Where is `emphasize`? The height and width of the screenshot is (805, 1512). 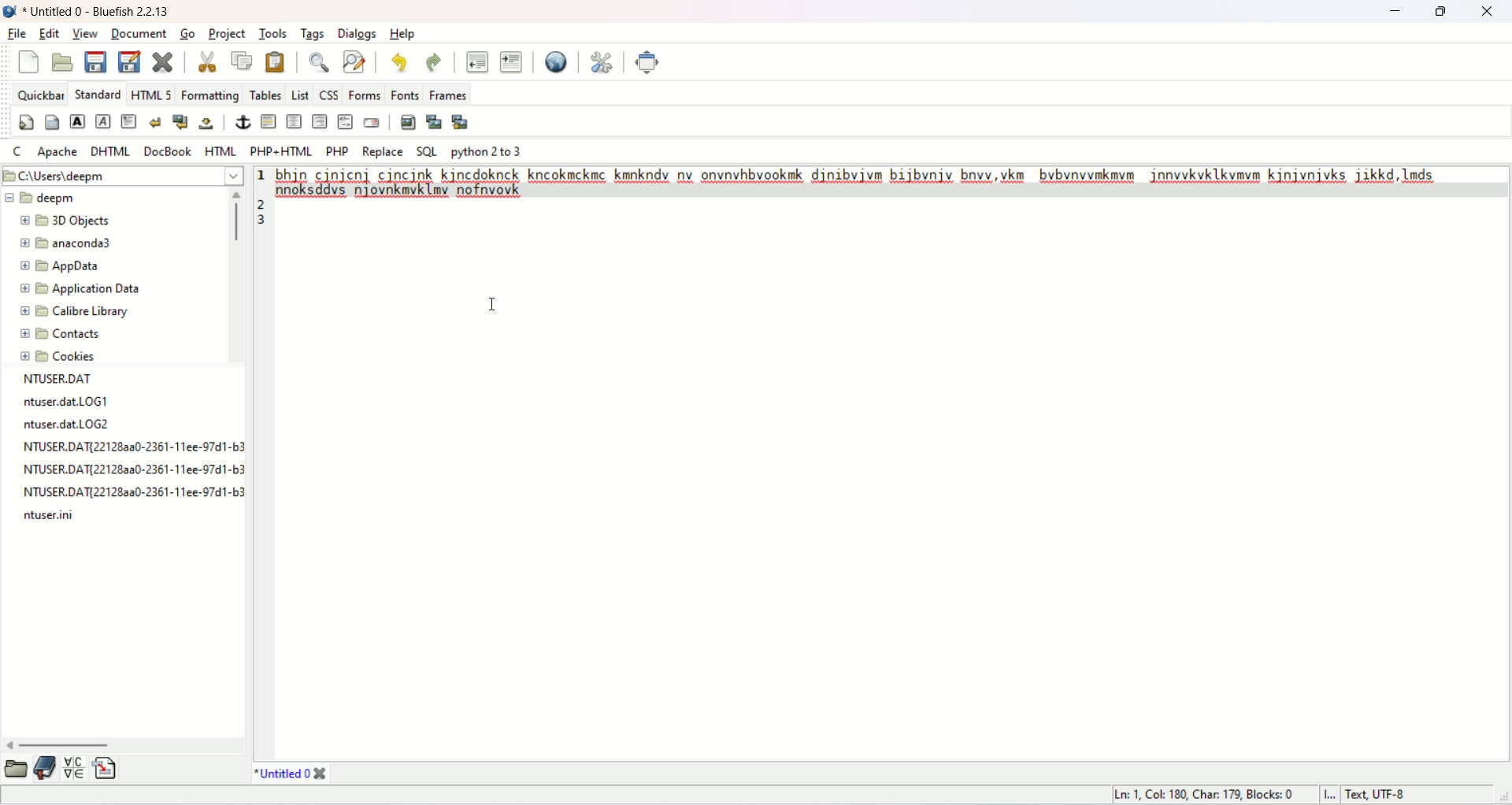
emphasize is located at coordinates (102, 121).